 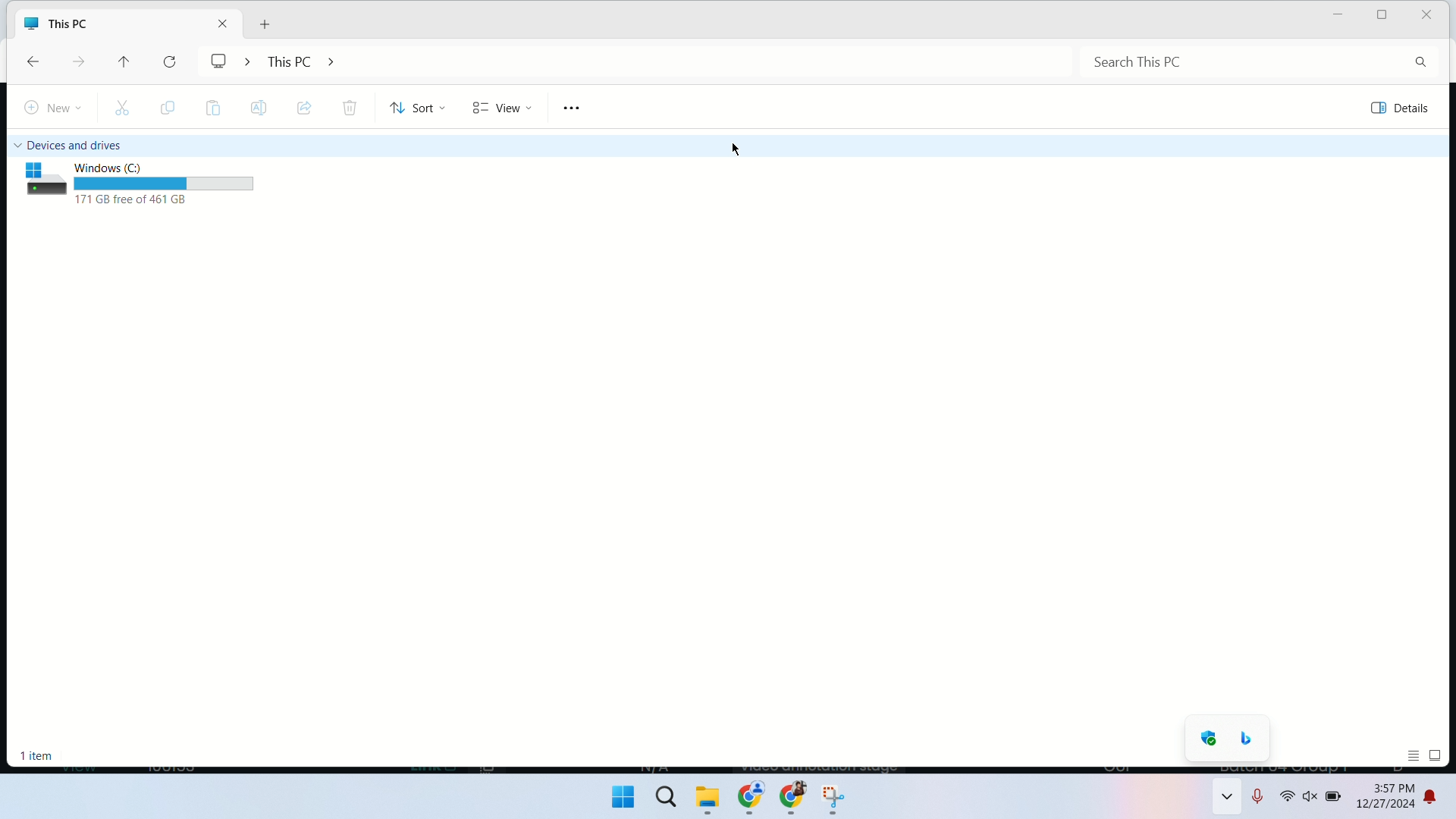 I want to click on display icons, so click(x=1436, y=757).